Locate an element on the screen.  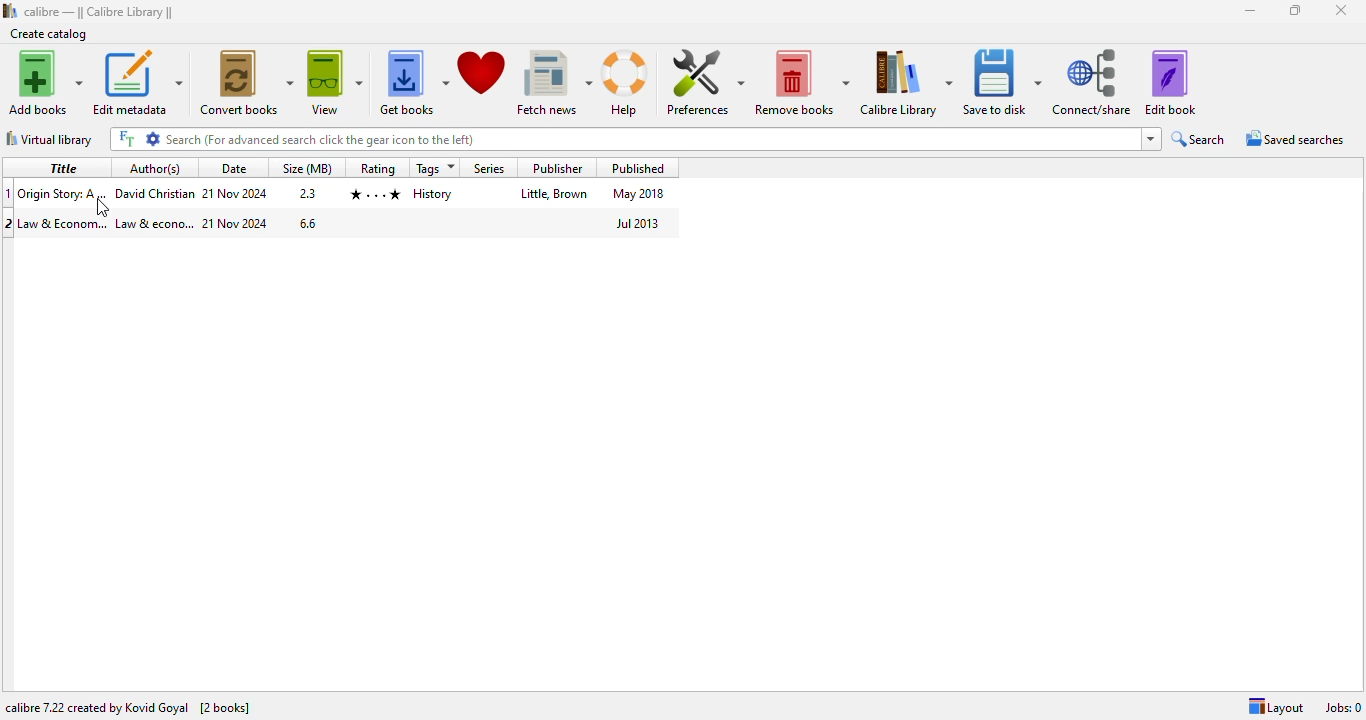
calibre 7.22 created by Kovid Goyal is located at coordinates (97, 707).